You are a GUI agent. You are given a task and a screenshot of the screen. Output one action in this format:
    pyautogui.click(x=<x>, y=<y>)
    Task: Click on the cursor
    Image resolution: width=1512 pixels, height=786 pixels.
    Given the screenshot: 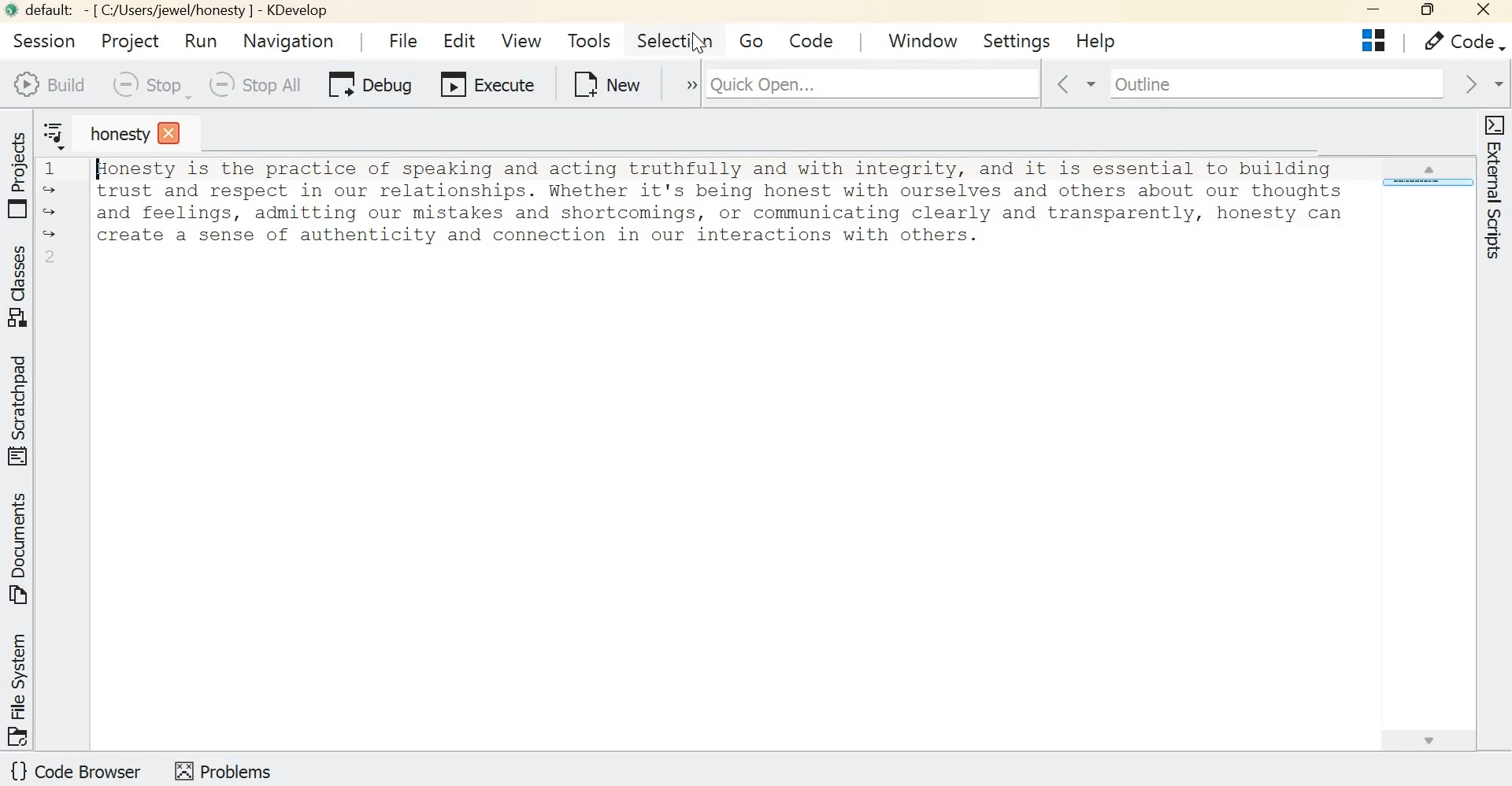 What is the action you would take?
    pyautogui.click(x=699, y=43)
    